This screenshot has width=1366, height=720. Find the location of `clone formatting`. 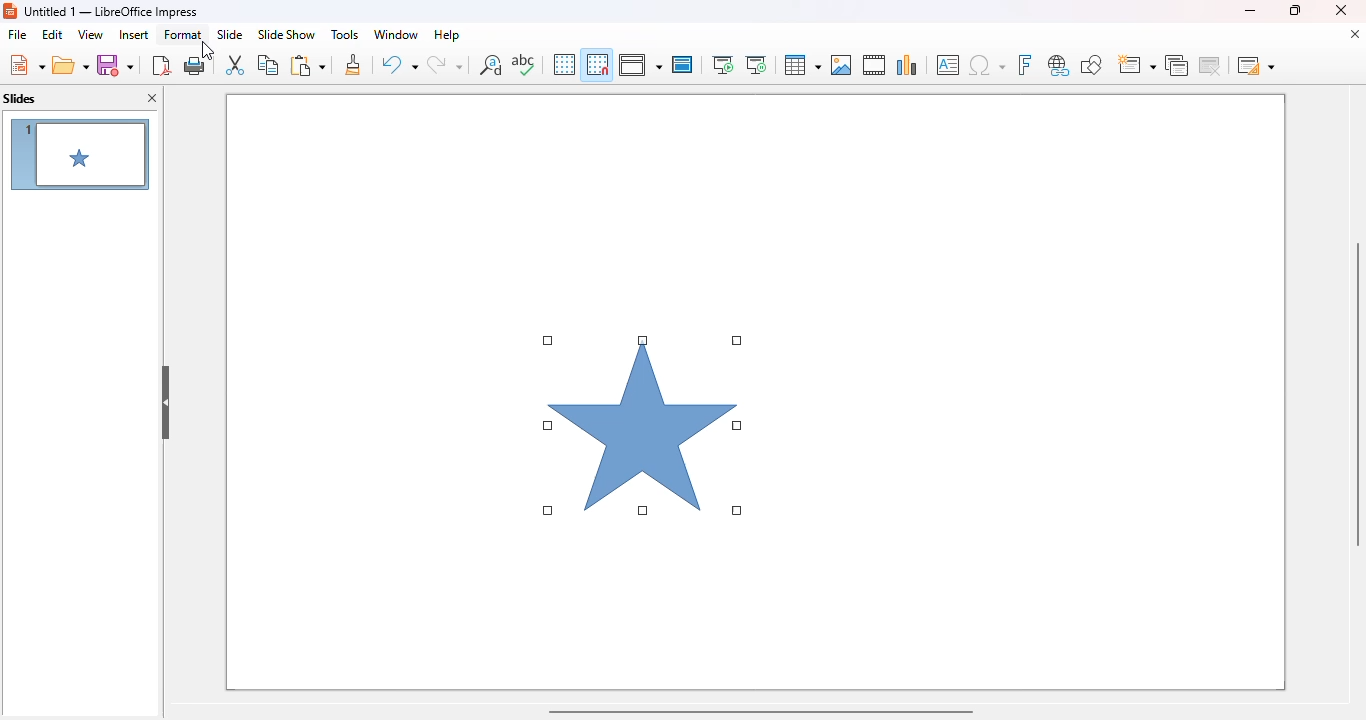

clone formatting is located at coordinates (354, 65).